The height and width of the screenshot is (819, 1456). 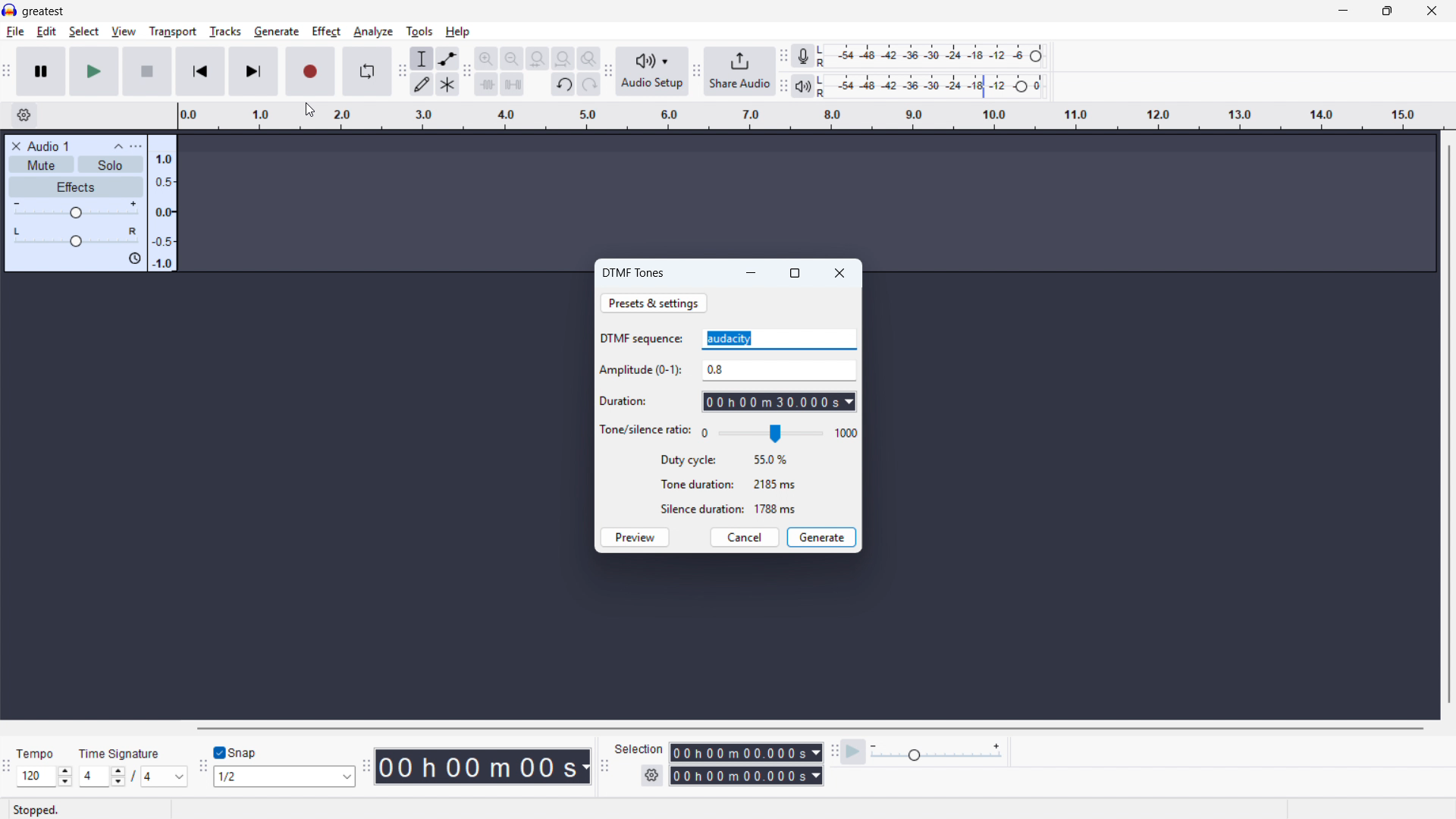 I want to click on minimise , so click(x=1341, y=11).